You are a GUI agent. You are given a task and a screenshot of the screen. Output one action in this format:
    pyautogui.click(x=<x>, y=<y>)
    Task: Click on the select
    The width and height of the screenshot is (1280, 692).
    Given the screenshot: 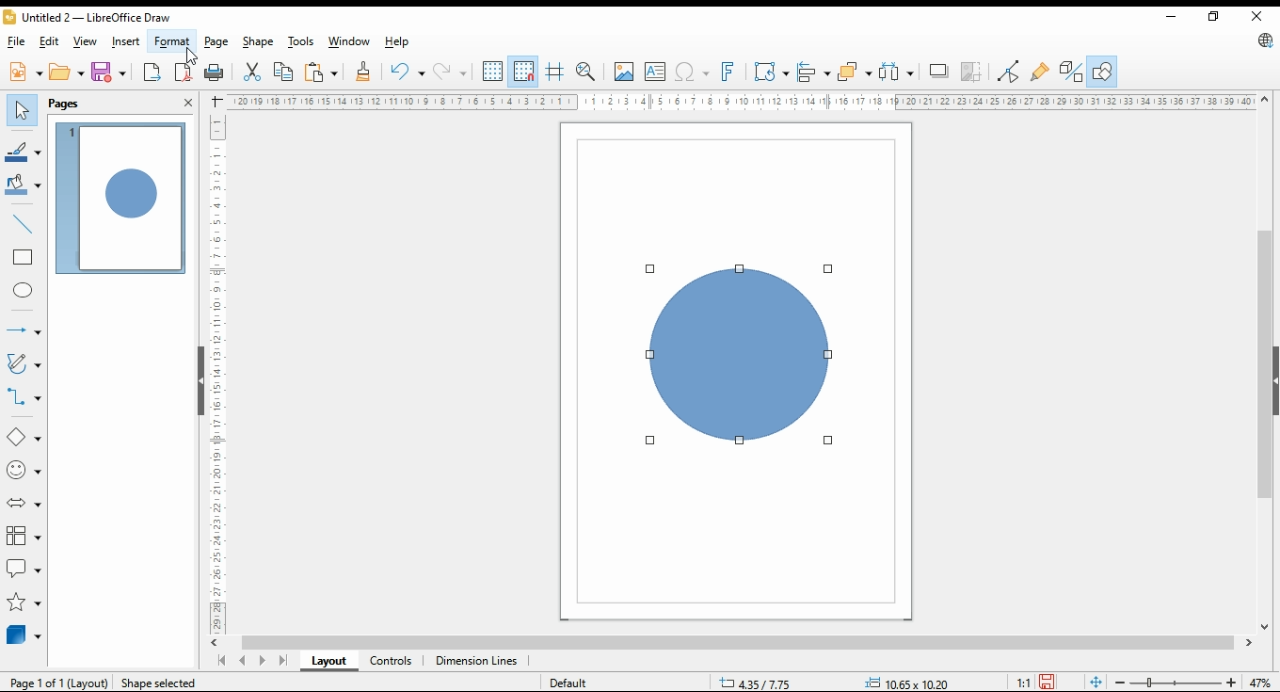 What is the action you would take?
    pyautogui.click(x=22, y=110)
    